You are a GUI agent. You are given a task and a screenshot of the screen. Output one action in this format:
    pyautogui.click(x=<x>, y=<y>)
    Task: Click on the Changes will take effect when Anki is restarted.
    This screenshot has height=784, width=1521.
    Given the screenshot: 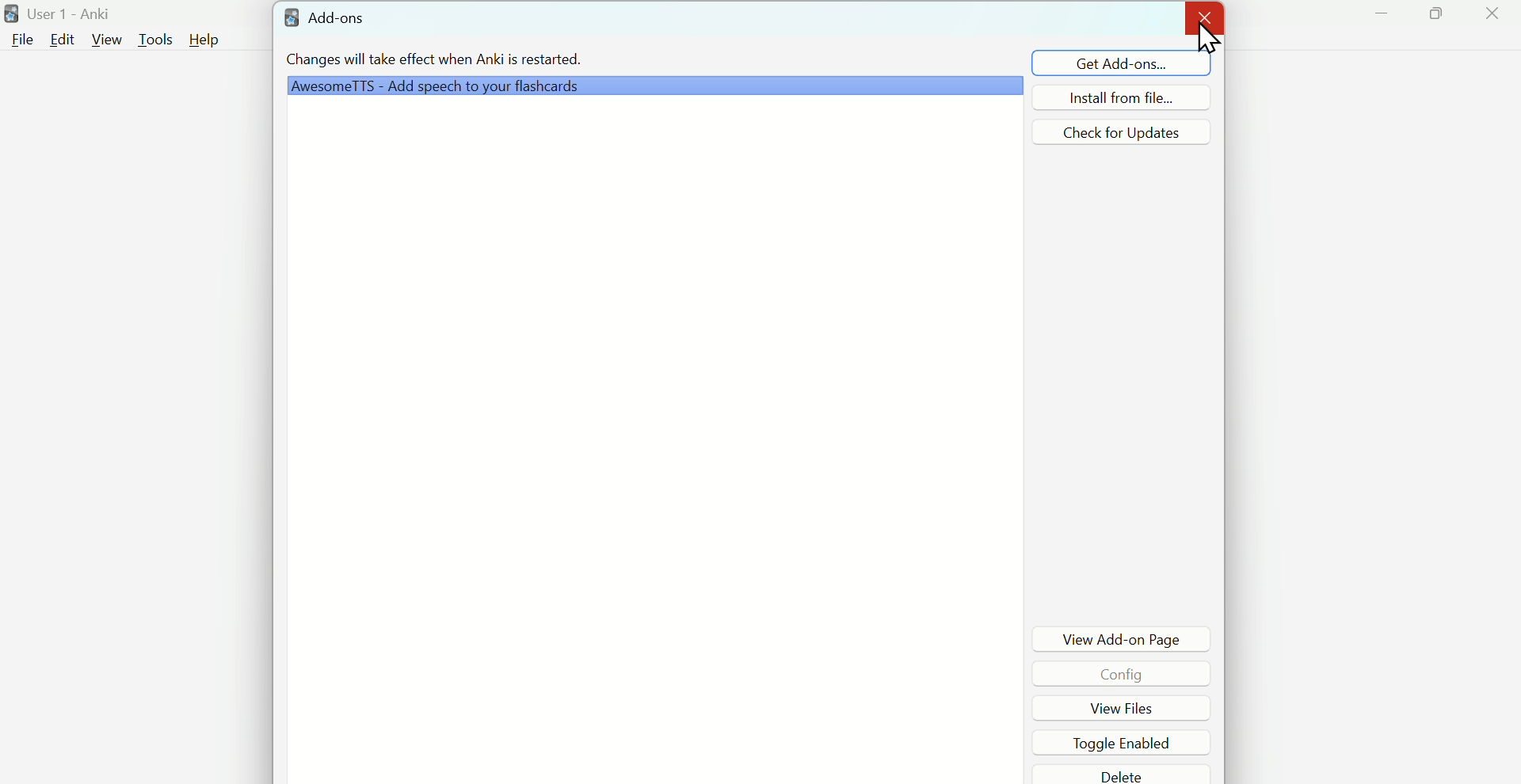 What is the action you would take?
    pyautogui.click(x=432, y=63)
    